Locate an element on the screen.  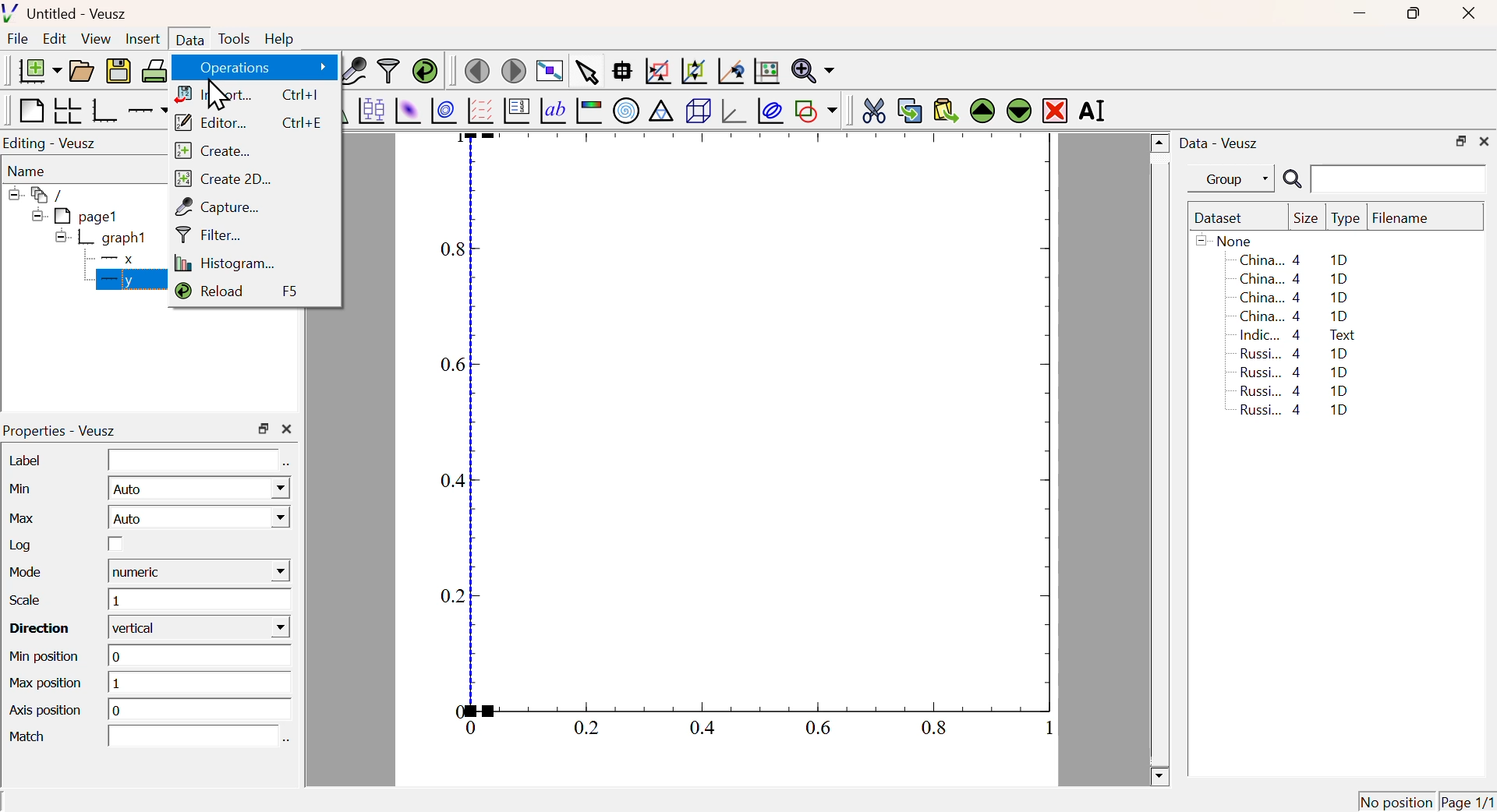
Min position is located at coordinates (47, 657).